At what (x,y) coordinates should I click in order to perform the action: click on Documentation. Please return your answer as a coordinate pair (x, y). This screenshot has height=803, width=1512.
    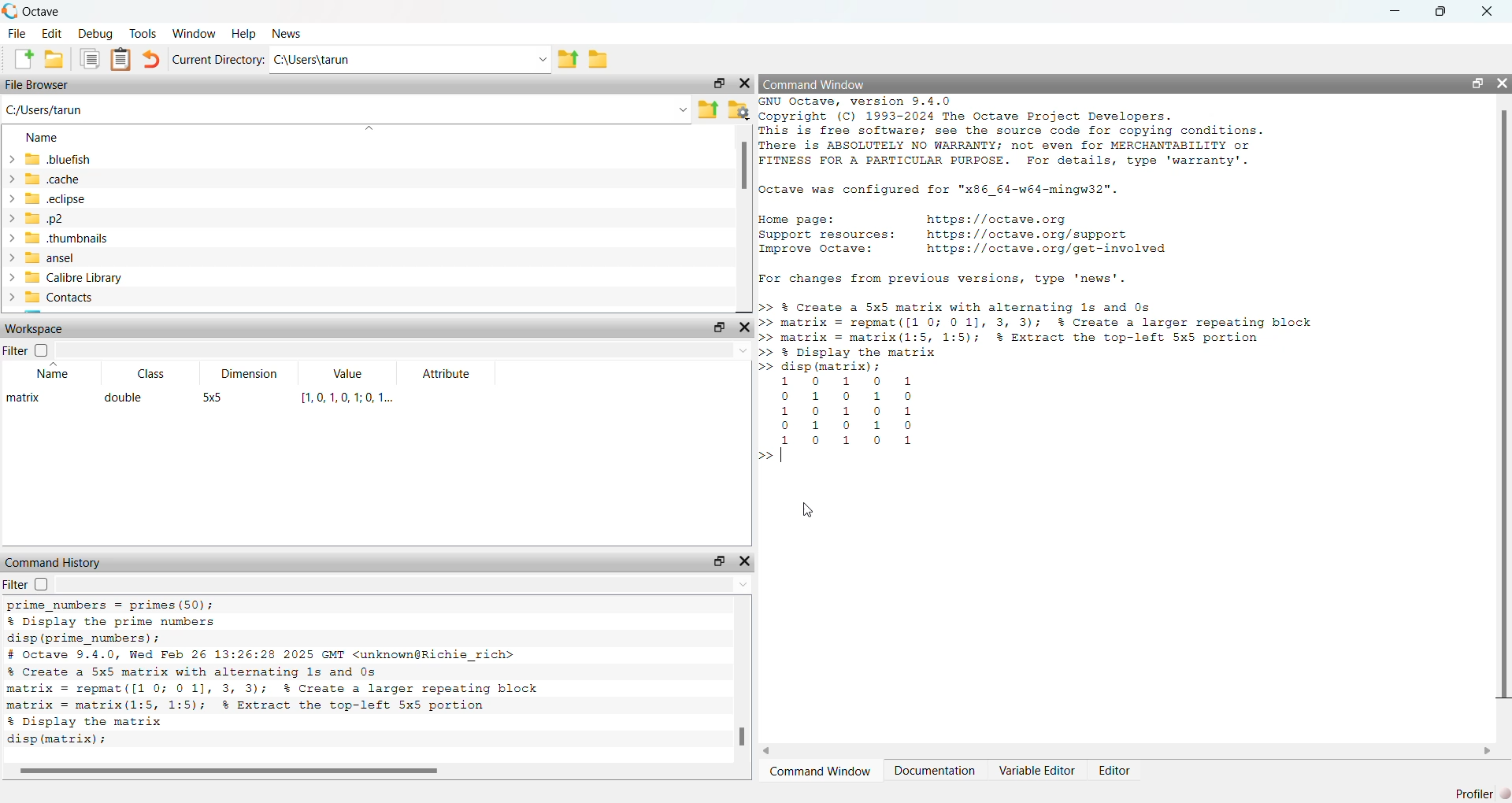
    Looking at the image, I should click on (938, 770).